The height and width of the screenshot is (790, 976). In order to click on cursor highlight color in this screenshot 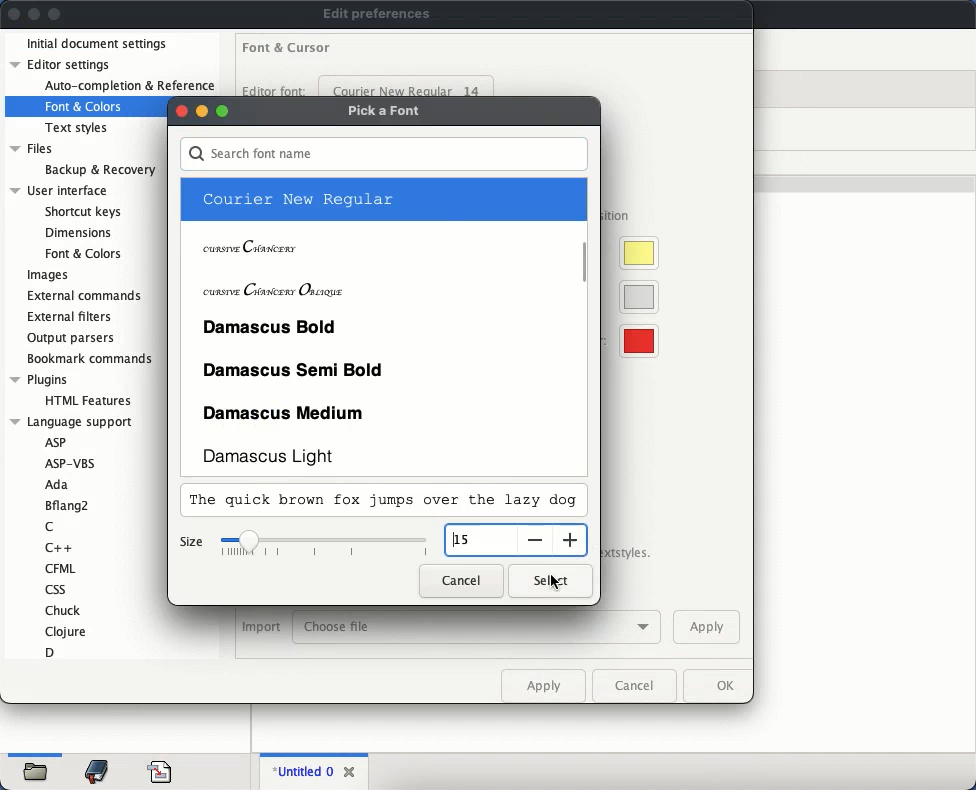, I will do `click(634, 253)`.